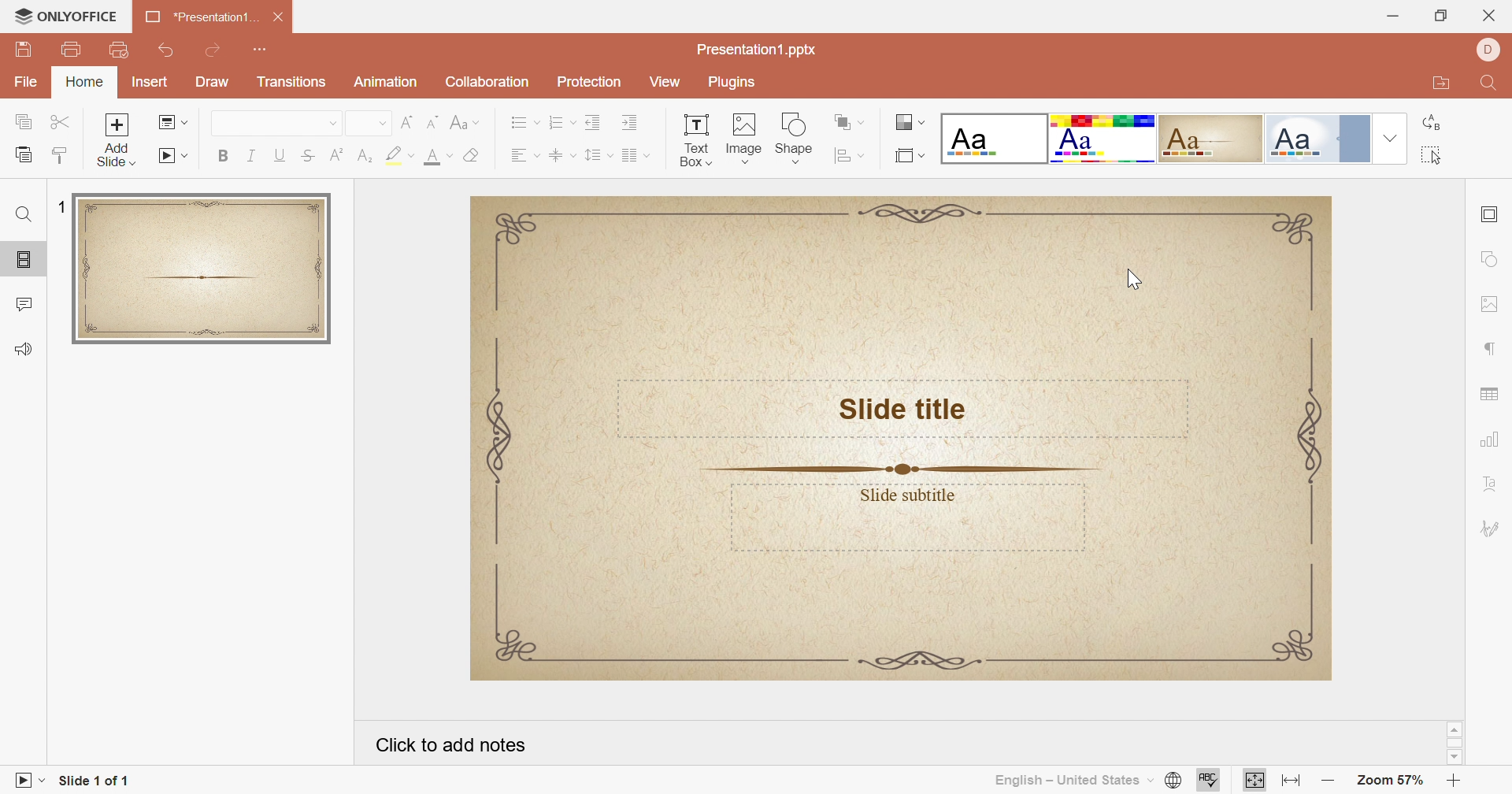  What do you see at coordinates (861, 154) in the screenshot?
I see `Drop Down` at bounding box center [861, 154].